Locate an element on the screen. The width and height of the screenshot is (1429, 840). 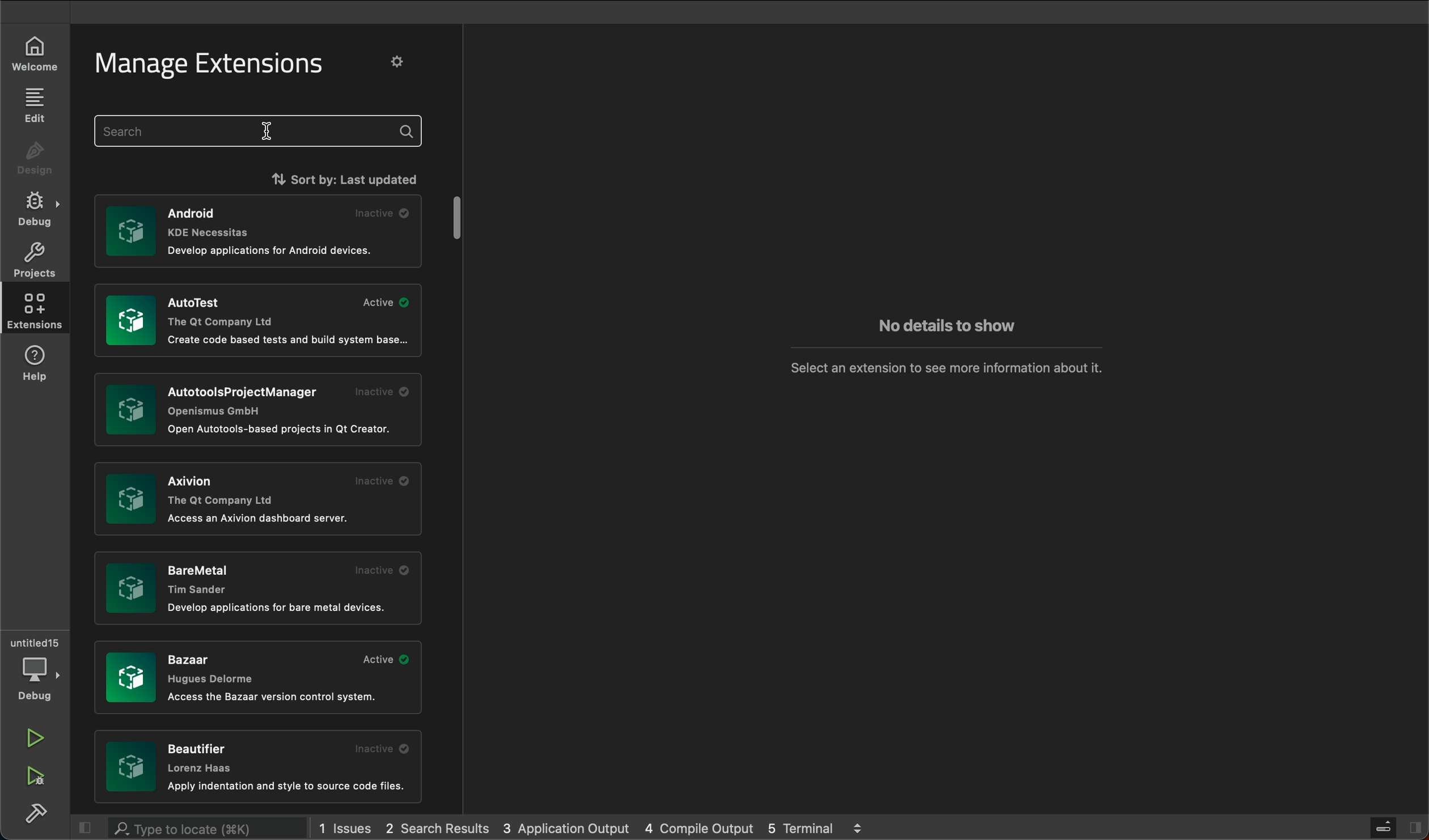
sort is located at coordinates (338, 177).